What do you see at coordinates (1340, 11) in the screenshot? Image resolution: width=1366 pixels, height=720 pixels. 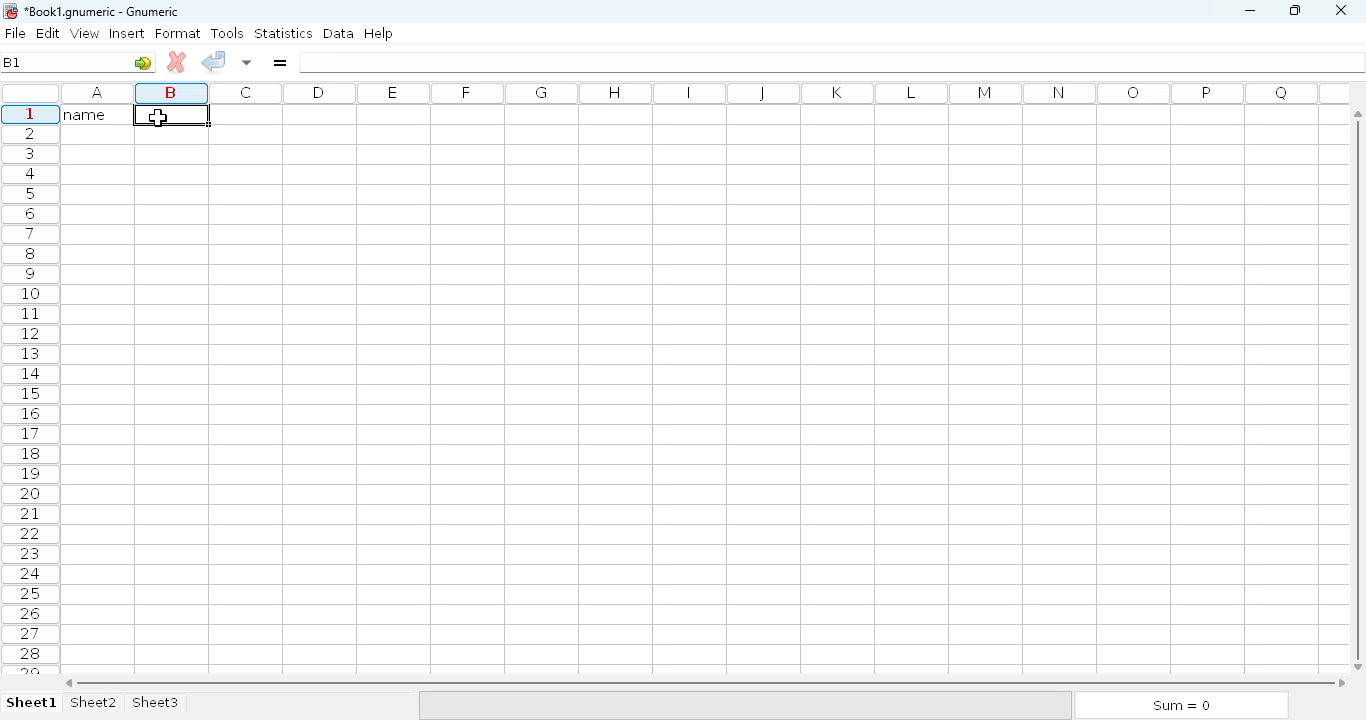 I see `close` at bounding box center [1340, 11].